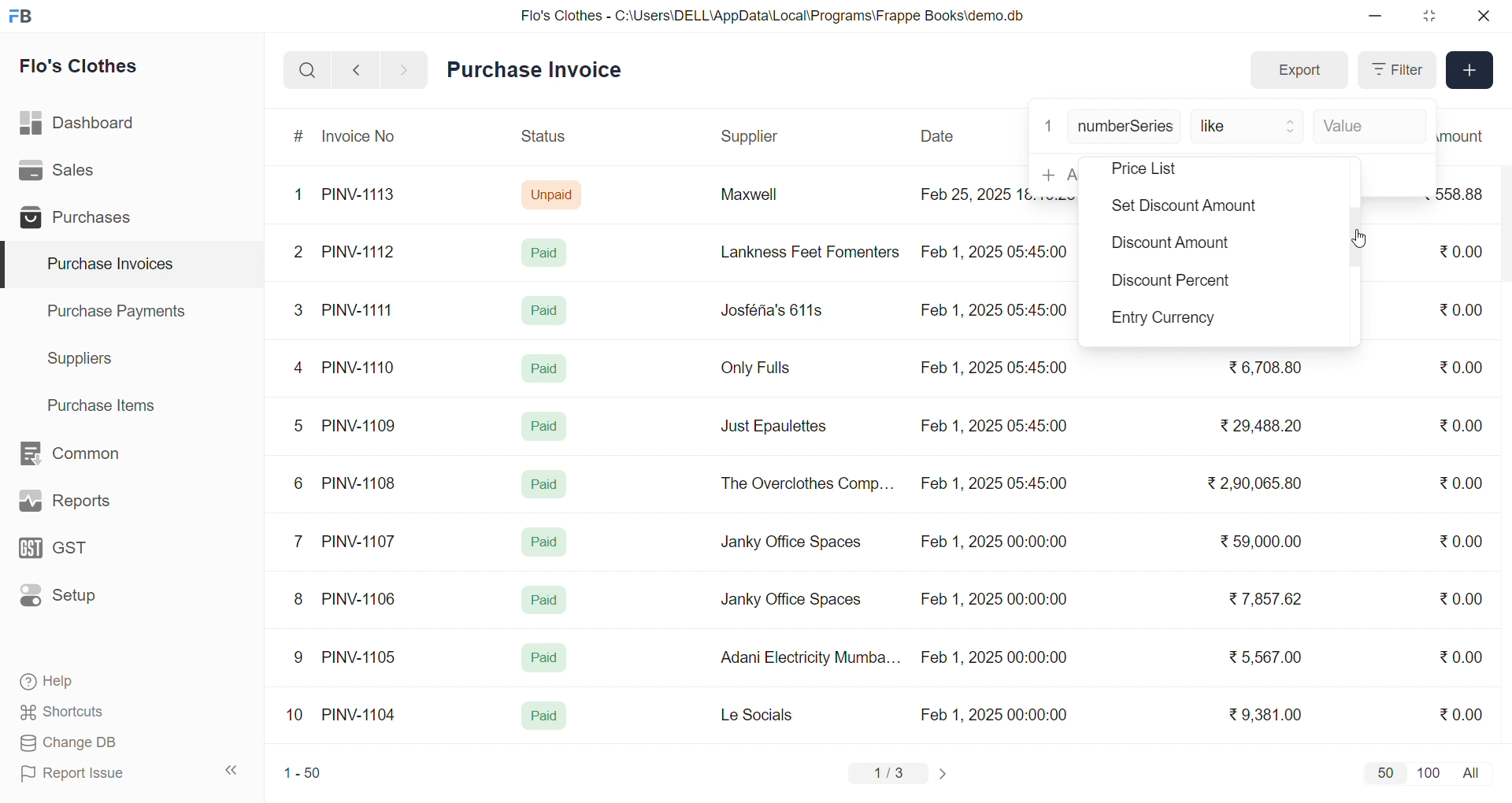  Describe the element at coordinates (1395, 70) in the screenshot. I see `Filter` at that location.